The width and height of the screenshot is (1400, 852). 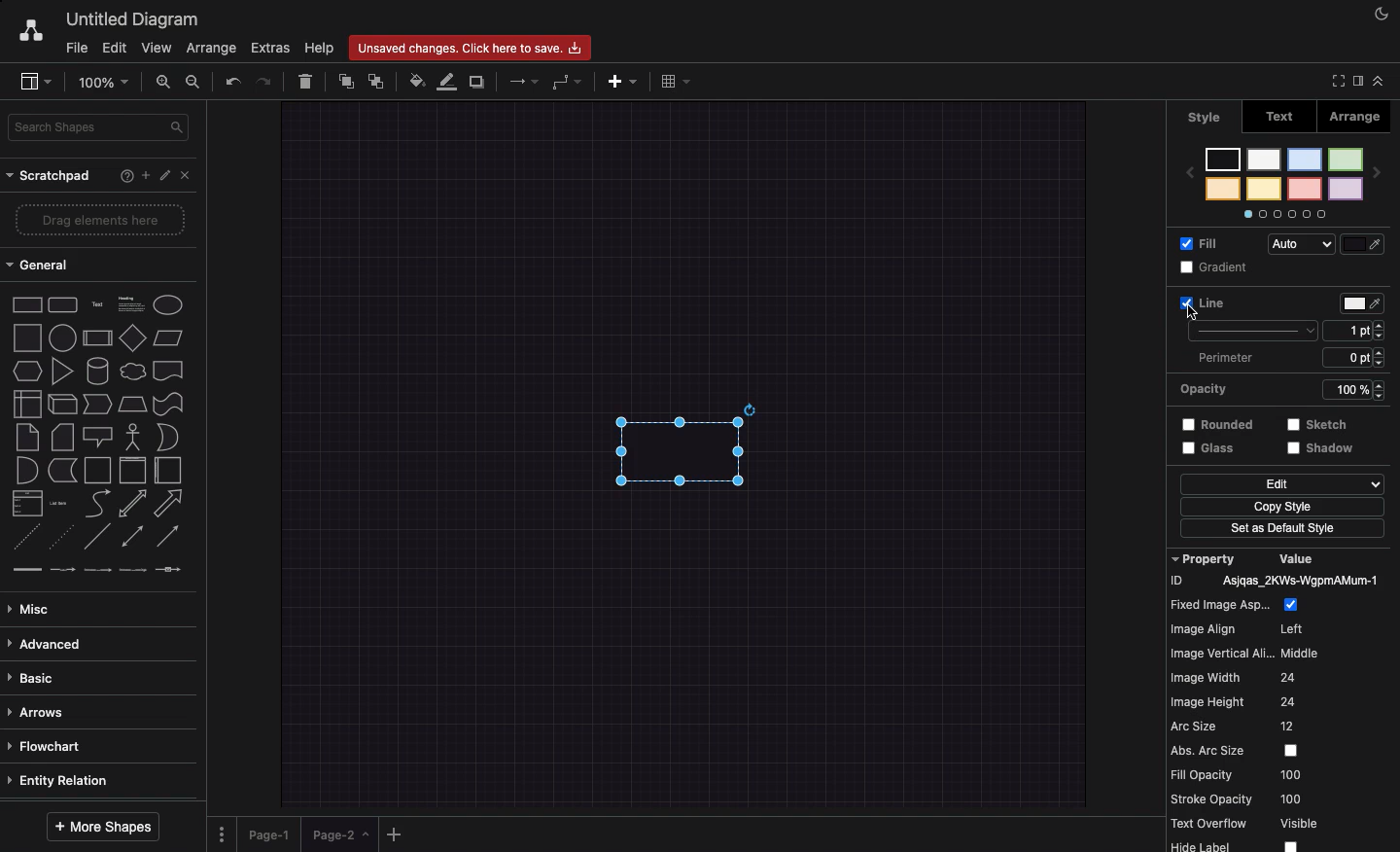 What do you see at coordinates (222, 828) in the screenshot?
I see `Options` at bounding box center [222, 828].